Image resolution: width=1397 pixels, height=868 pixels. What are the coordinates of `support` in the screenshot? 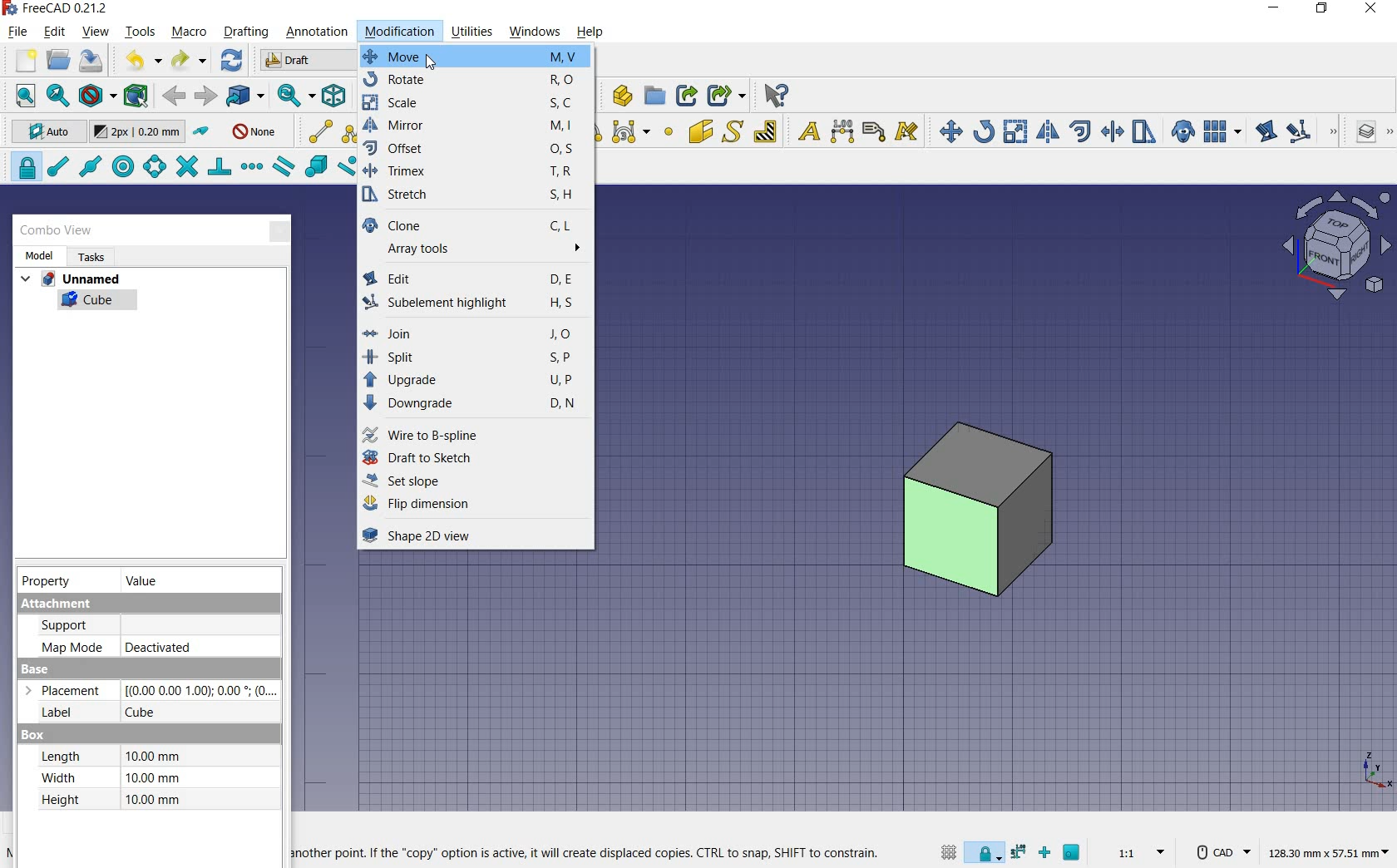 It's located at (74, 625).